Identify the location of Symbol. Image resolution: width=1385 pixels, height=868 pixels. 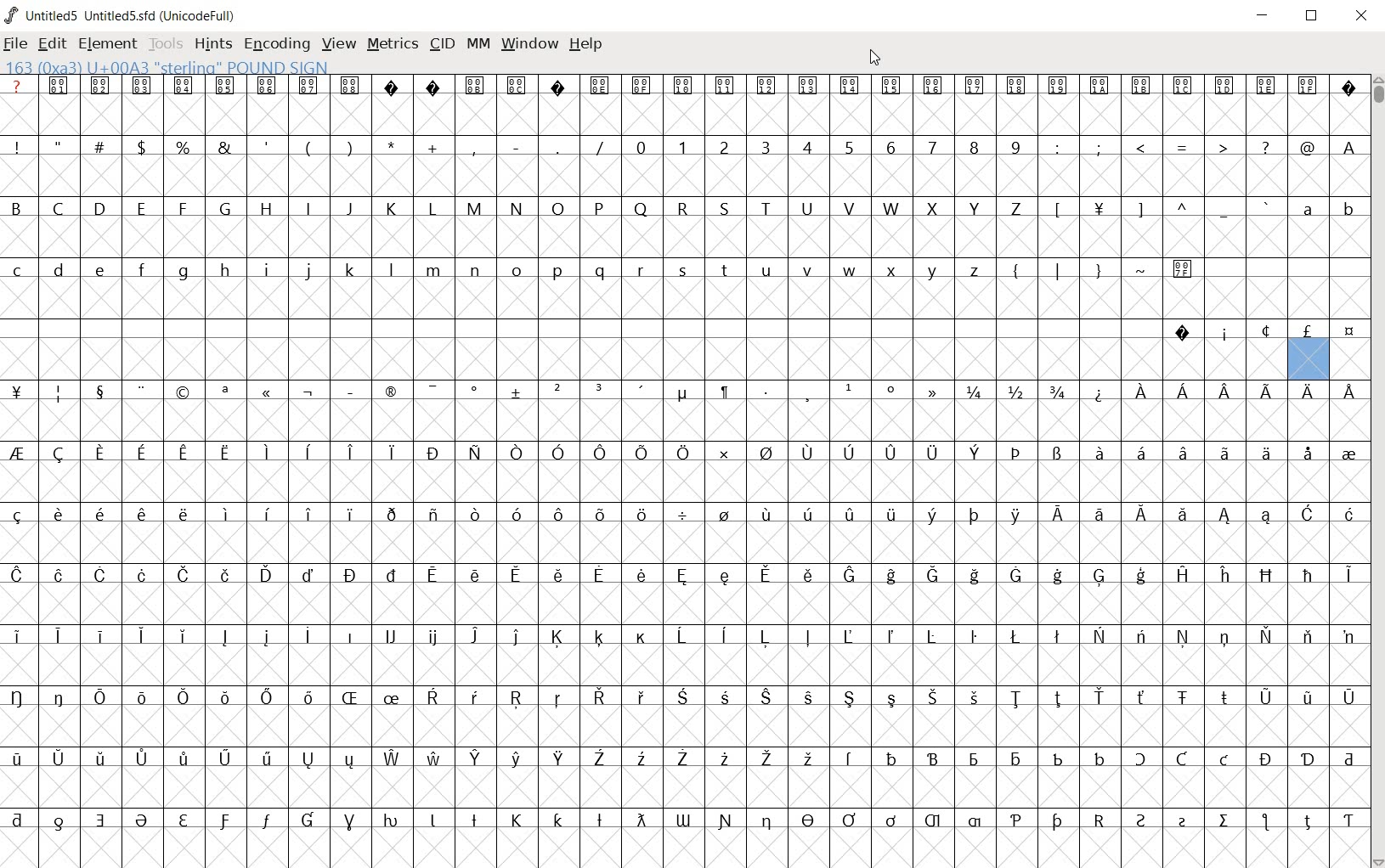
(225, 699).